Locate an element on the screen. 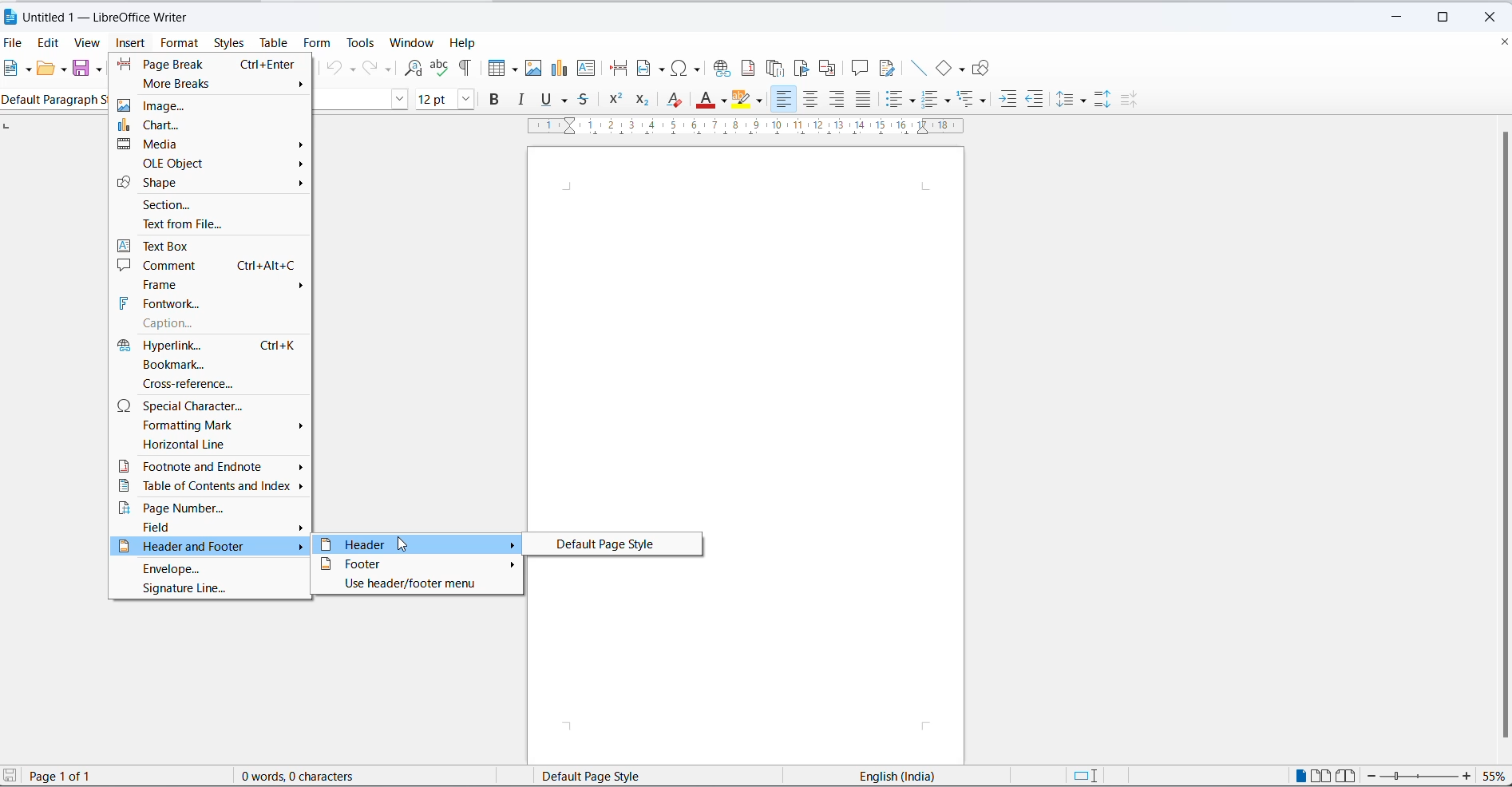  insert bookmark is located at coordinates (802, 69).